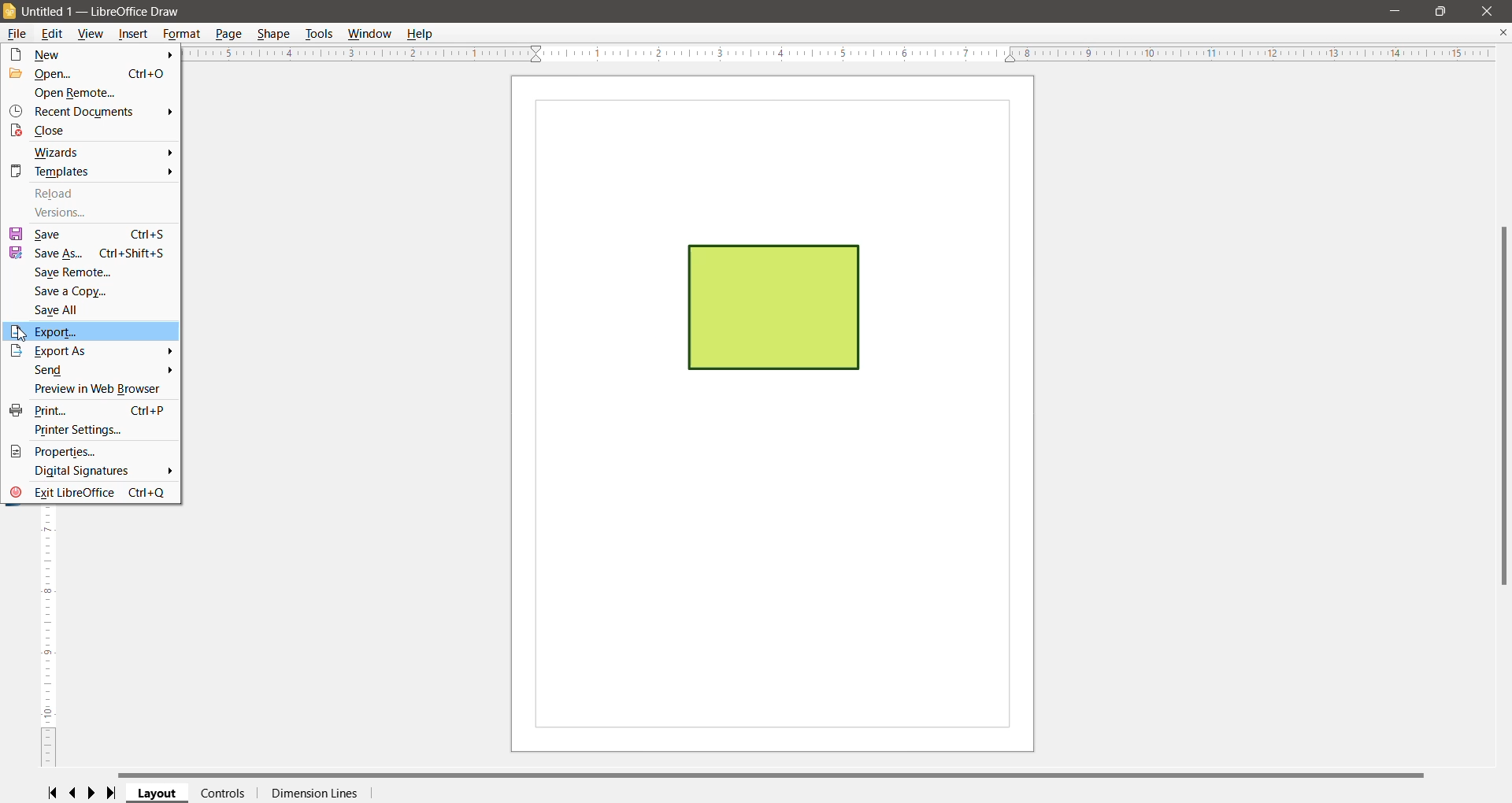  What do you see at coordinates (49, 173) in the screenshot?
I see `Templates` at bounding box center [49, 173].